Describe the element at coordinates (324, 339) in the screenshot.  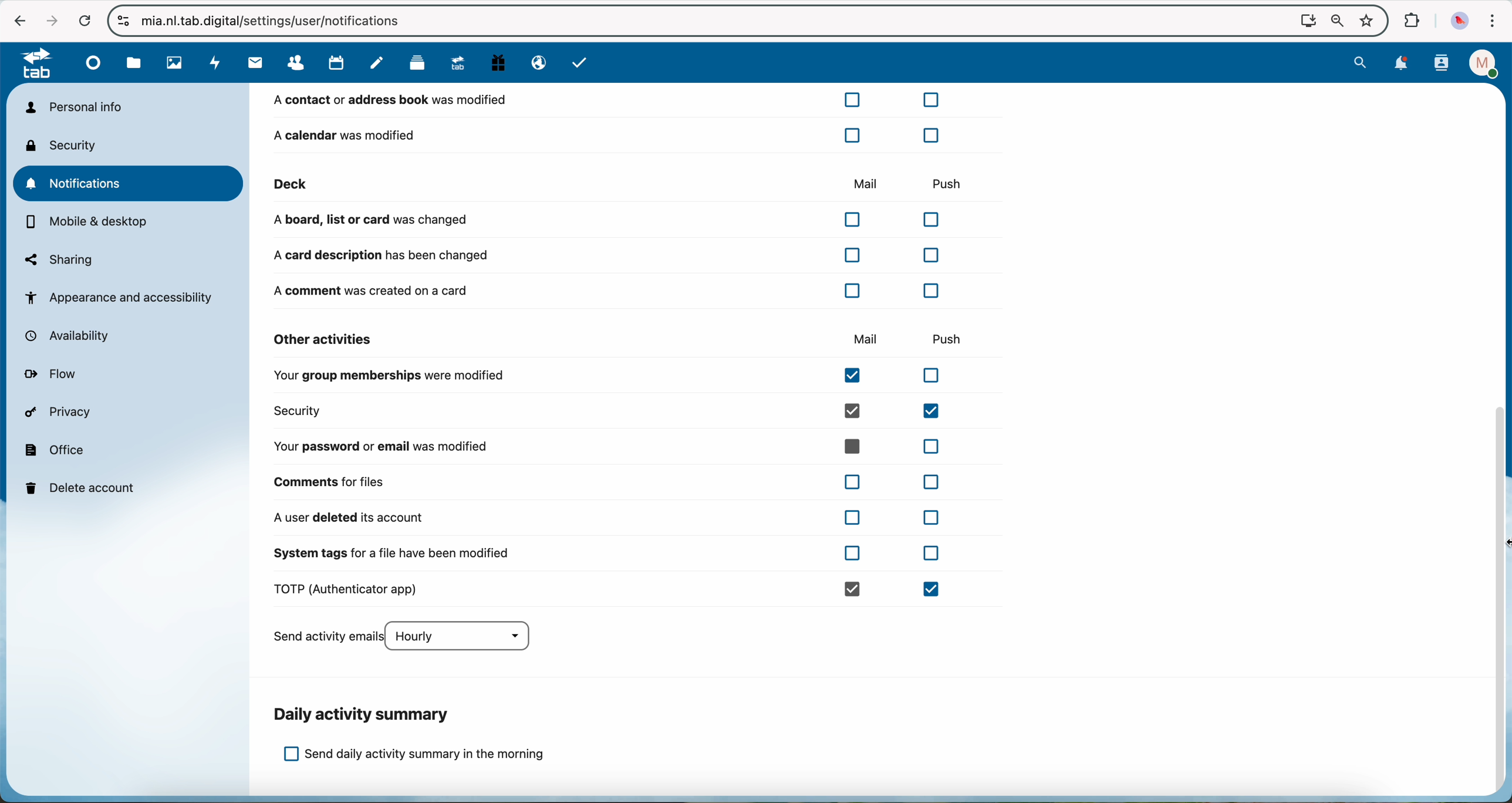
I see `other activities` at that location.